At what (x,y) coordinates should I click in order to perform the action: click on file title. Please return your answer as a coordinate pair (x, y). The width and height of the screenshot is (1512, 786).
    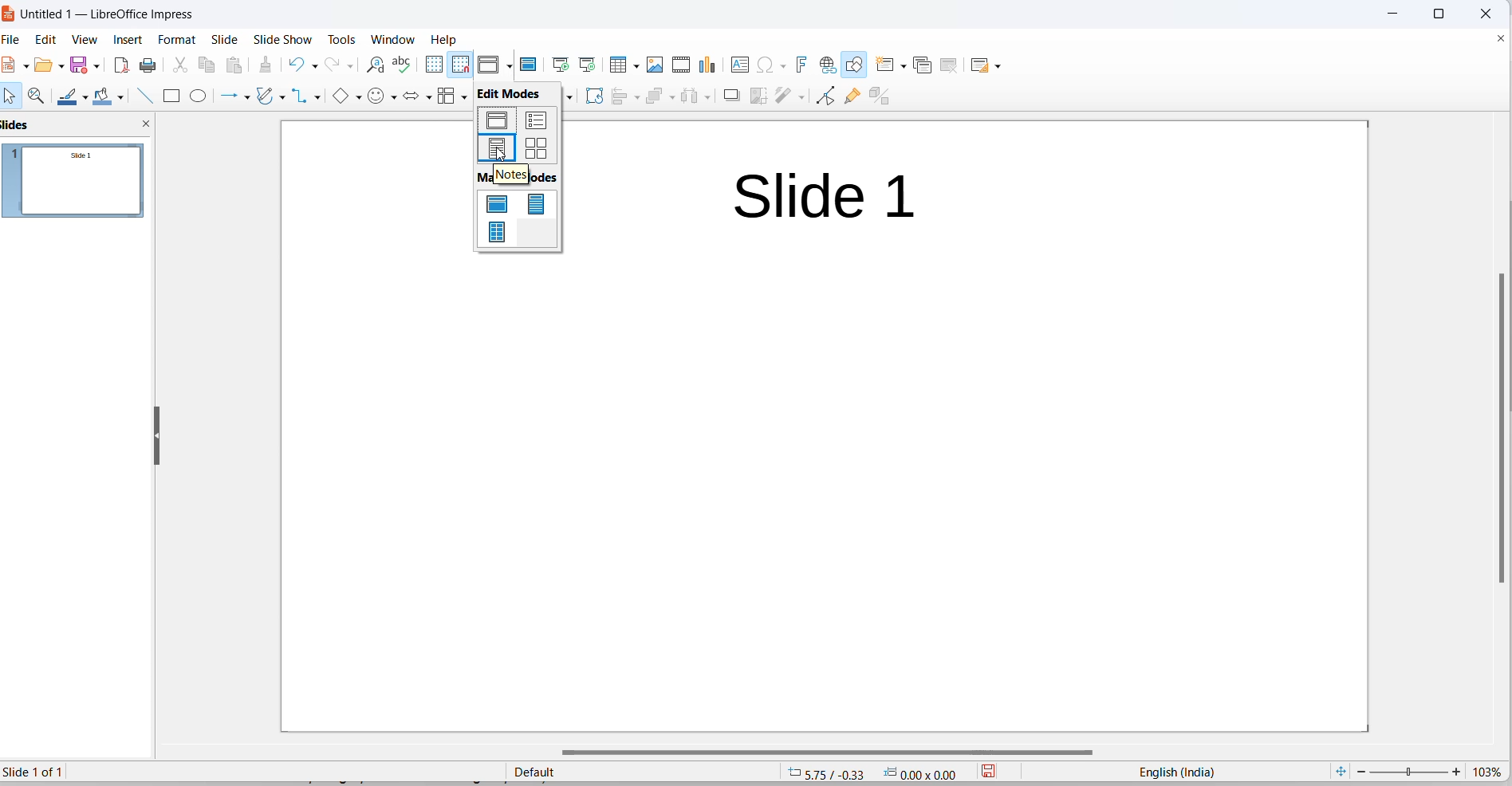
    Looking at the image, I should click on (104, 15).